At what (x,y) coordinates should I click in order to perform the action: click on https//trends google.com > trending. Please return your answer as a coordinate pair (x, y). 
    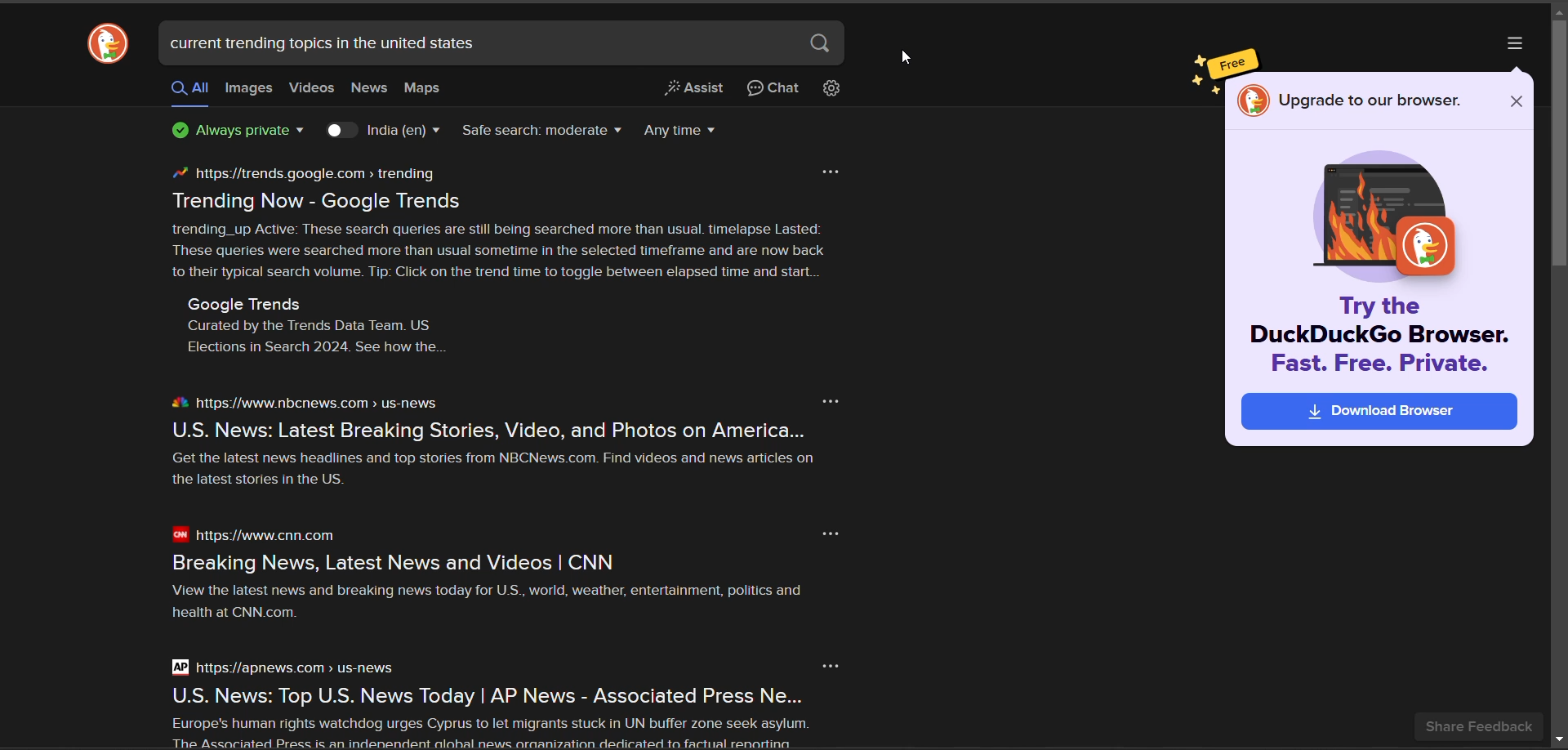
    Looking at the image, I should click on (305, 173).